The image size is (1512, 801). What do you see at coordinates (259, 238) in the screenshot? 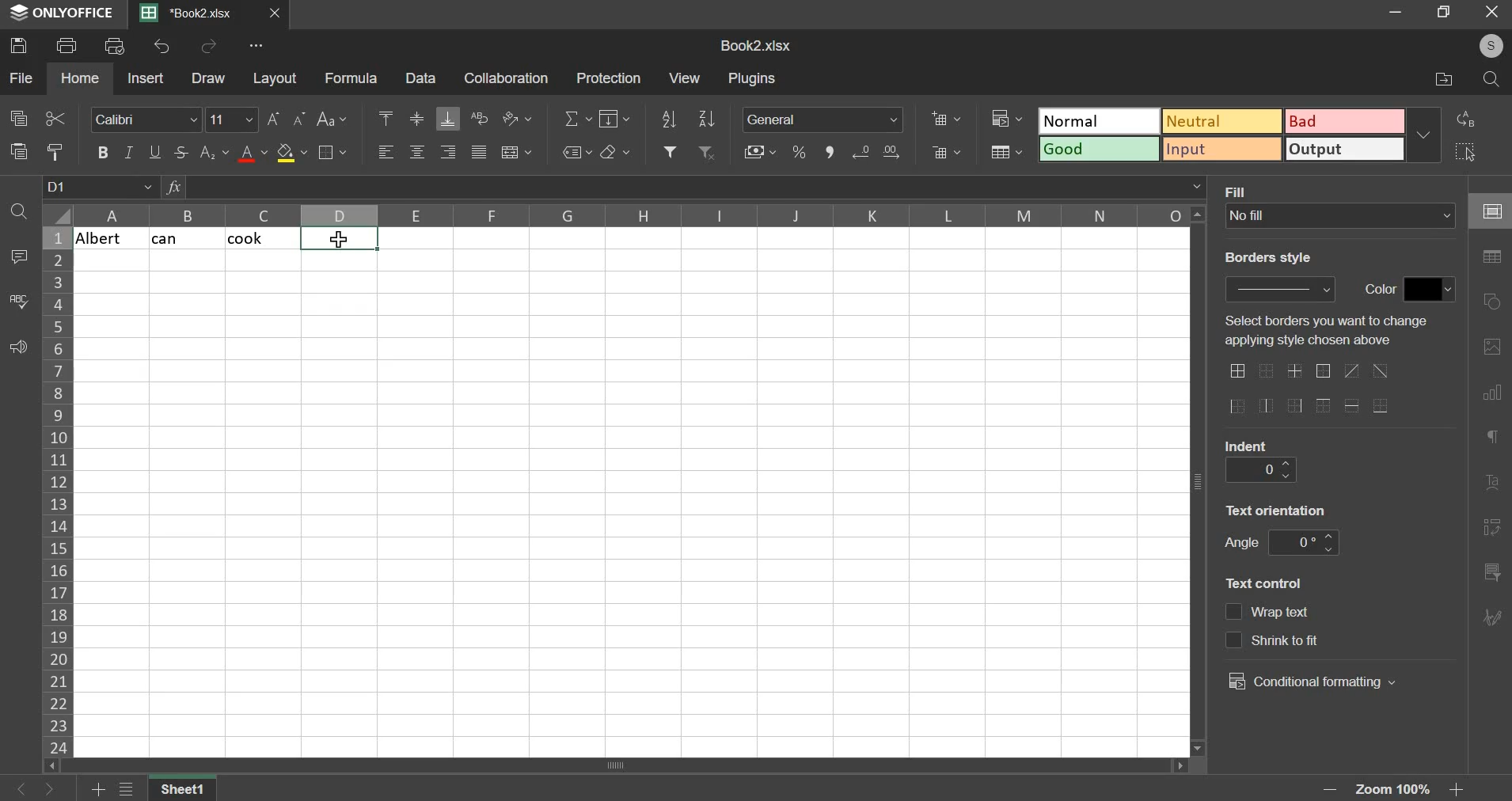
I see `cook` at bounding box center [259, 238].